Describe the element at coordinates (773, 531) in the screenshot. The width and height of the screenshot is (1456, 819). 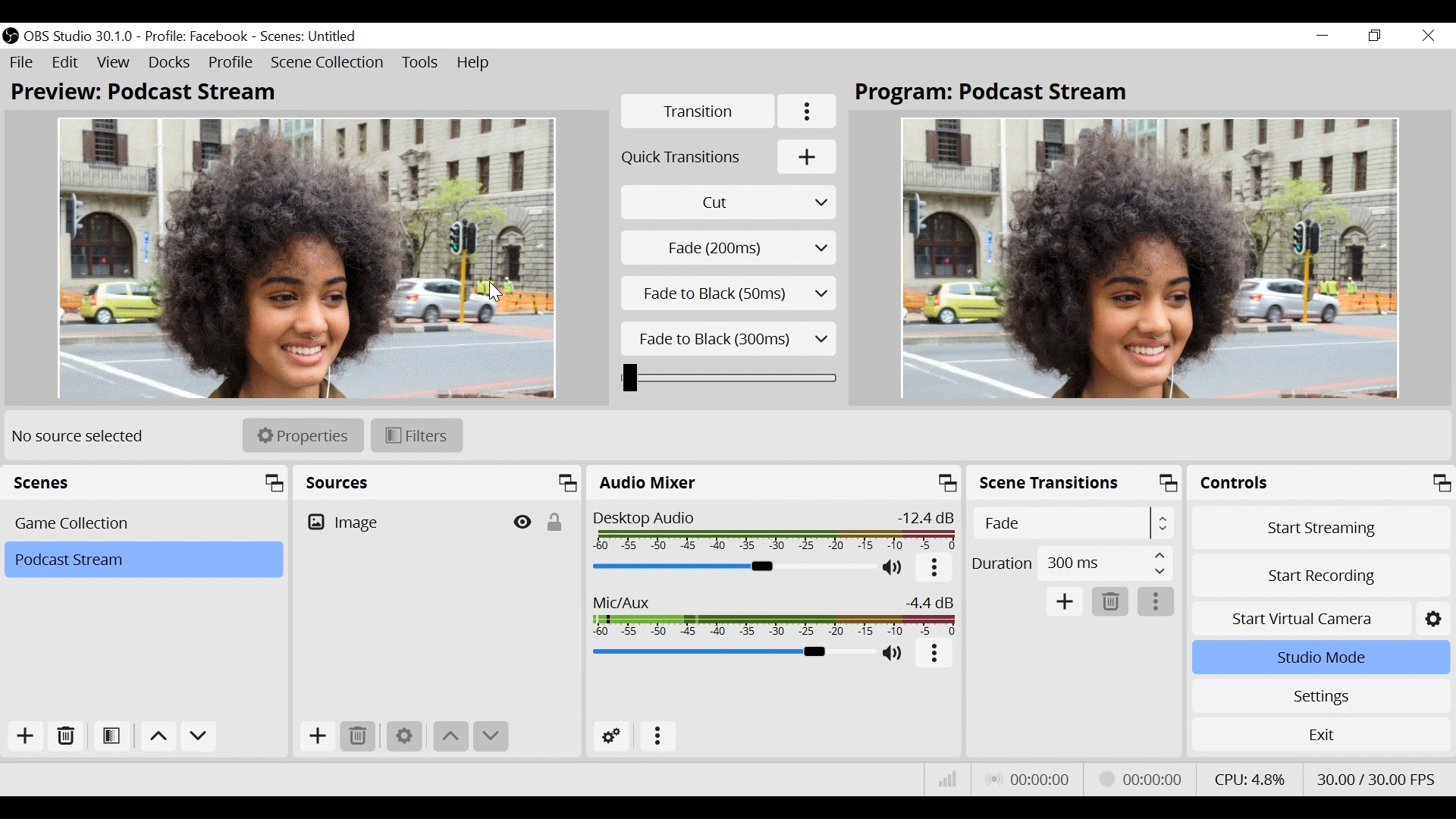
I see `Desktop Audio` at that location.